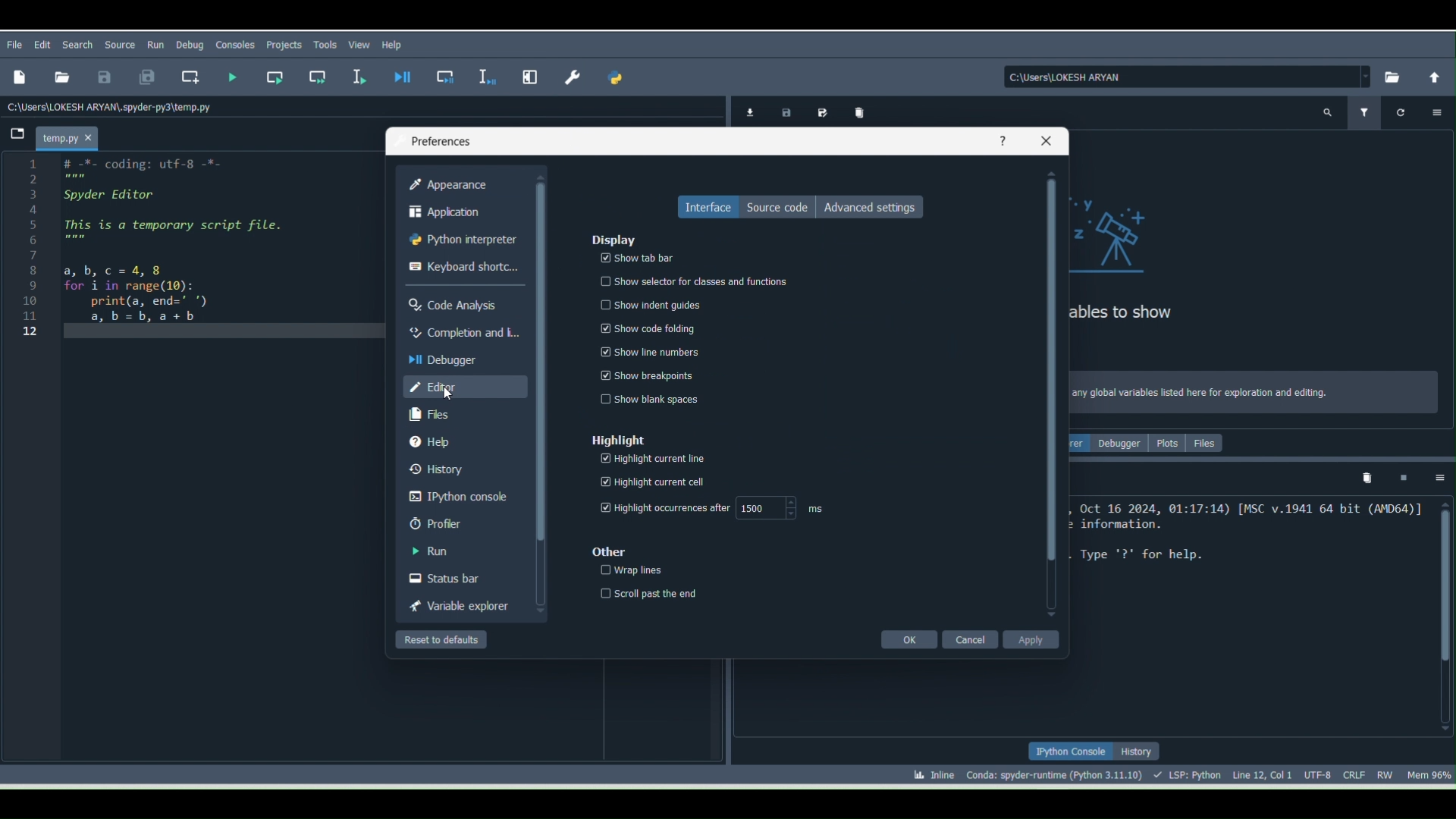  What do you see at coordinates (1387, 772) in the screenshot?
I see `File permissions` at bounding box center [1387, 772].